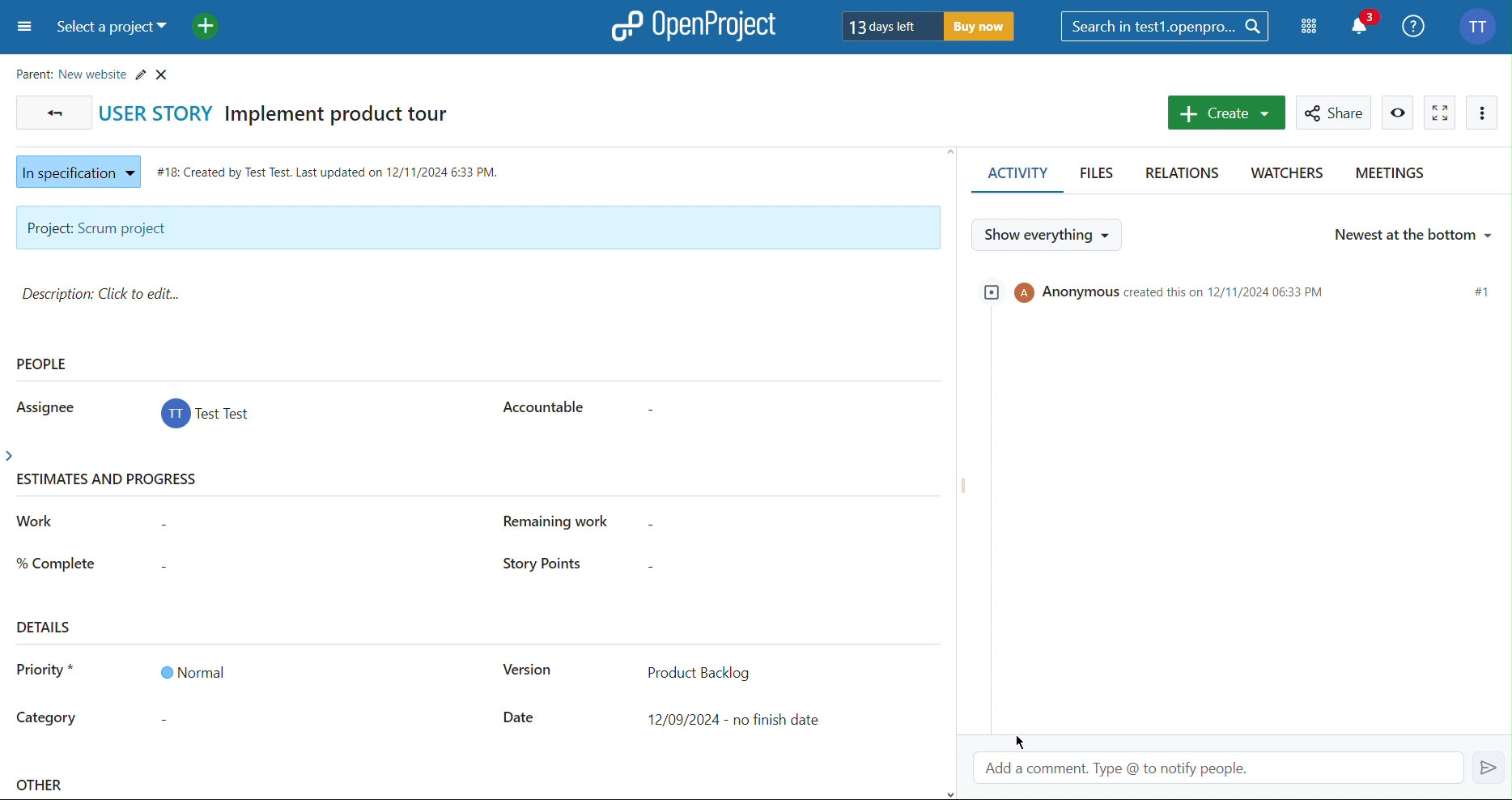 The width and height of the screenshot is (1512, 800). Describe the element at coordinates (112, 481) in the screenshot. I see `Estimates and Progress` at that location.